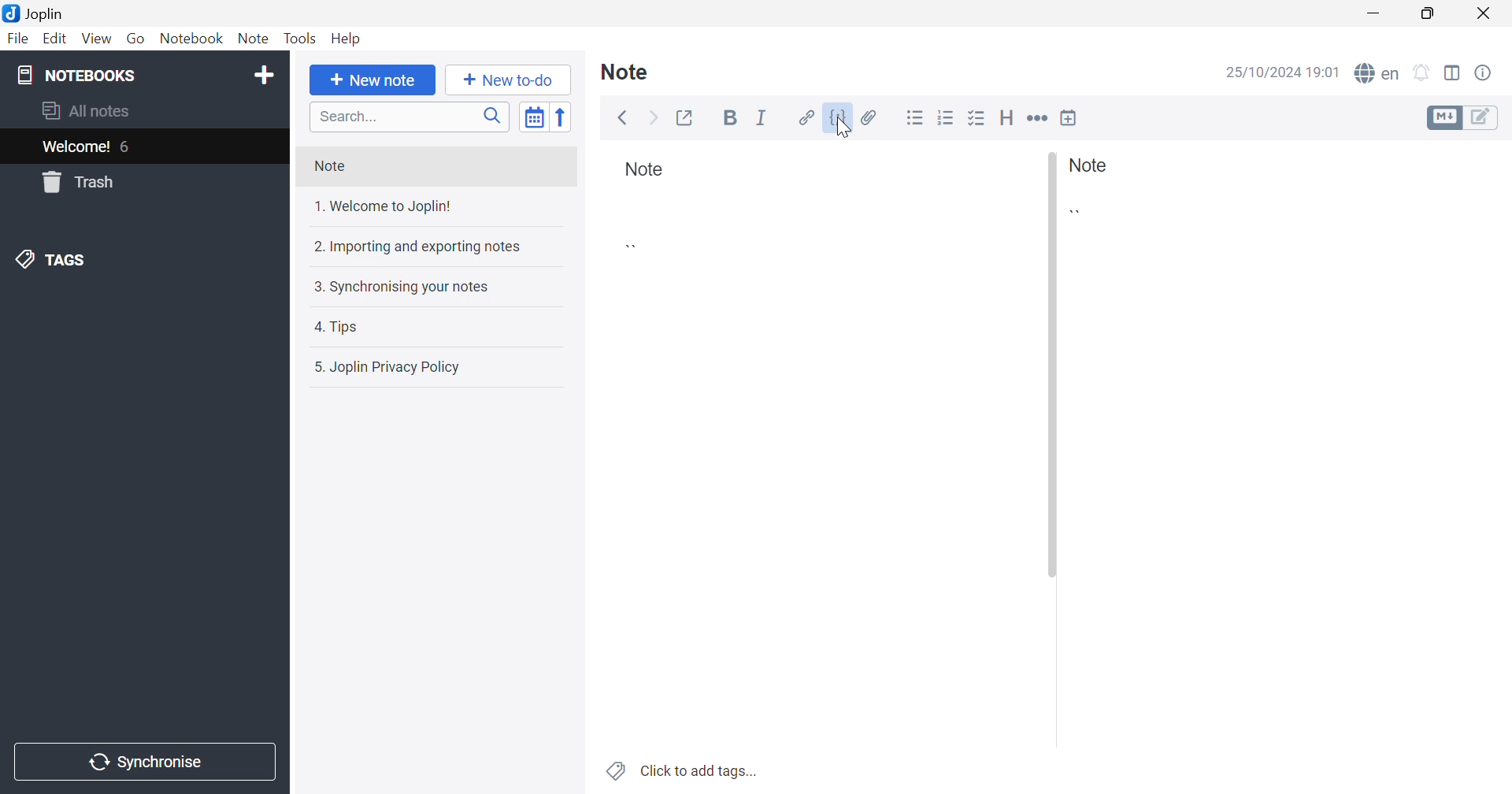  I want to click on + New to do, so click(507, 82).